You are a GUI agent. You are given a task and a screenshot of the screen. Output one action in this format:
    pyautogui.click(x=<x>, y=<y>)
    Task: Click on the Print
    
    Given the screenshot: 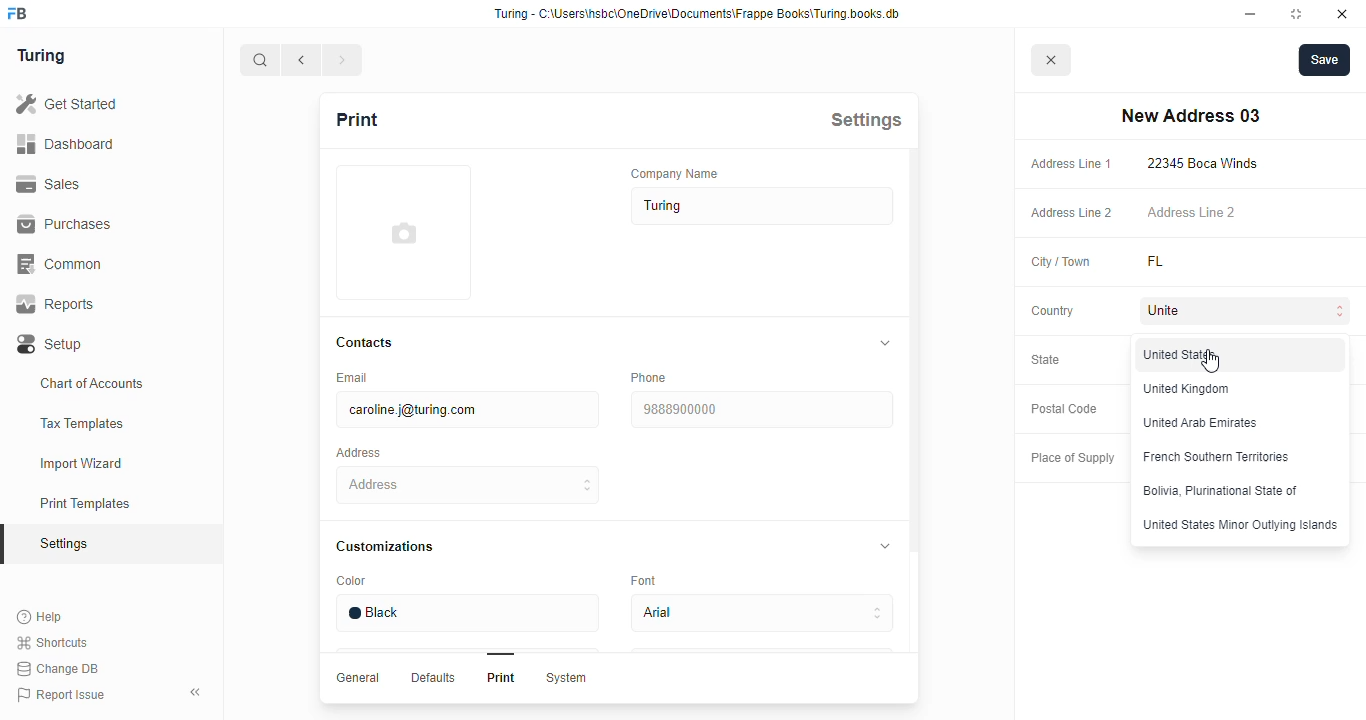 What is the action you would take?
    pyautogui.click(x=501, y=677)
    